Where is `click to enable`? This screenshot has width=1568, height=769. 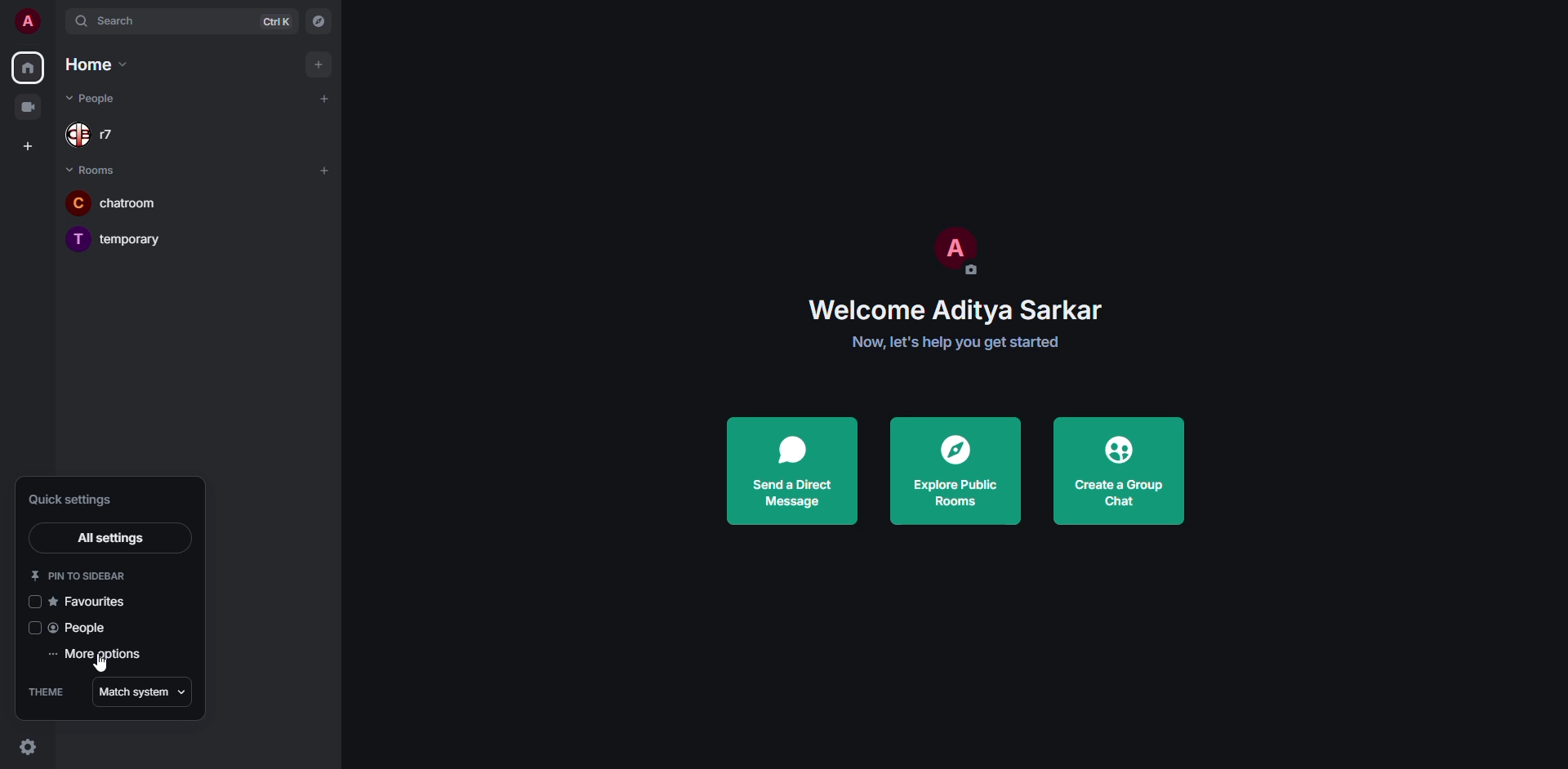 click to enable is located at coordinates (30, 628).